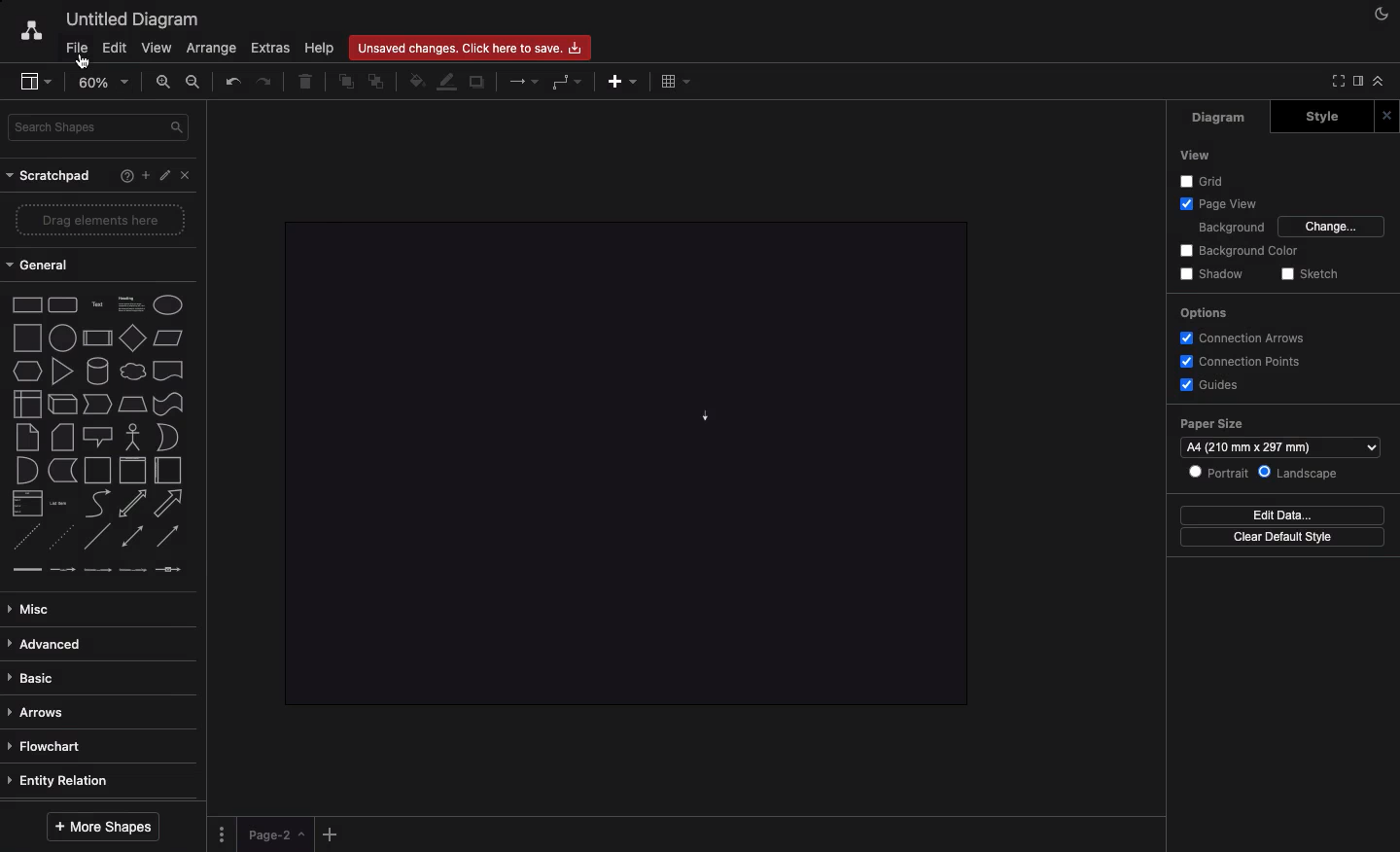  Describe the element at coordinates (322, 48) in the screenshot. I see `Help` at that location.